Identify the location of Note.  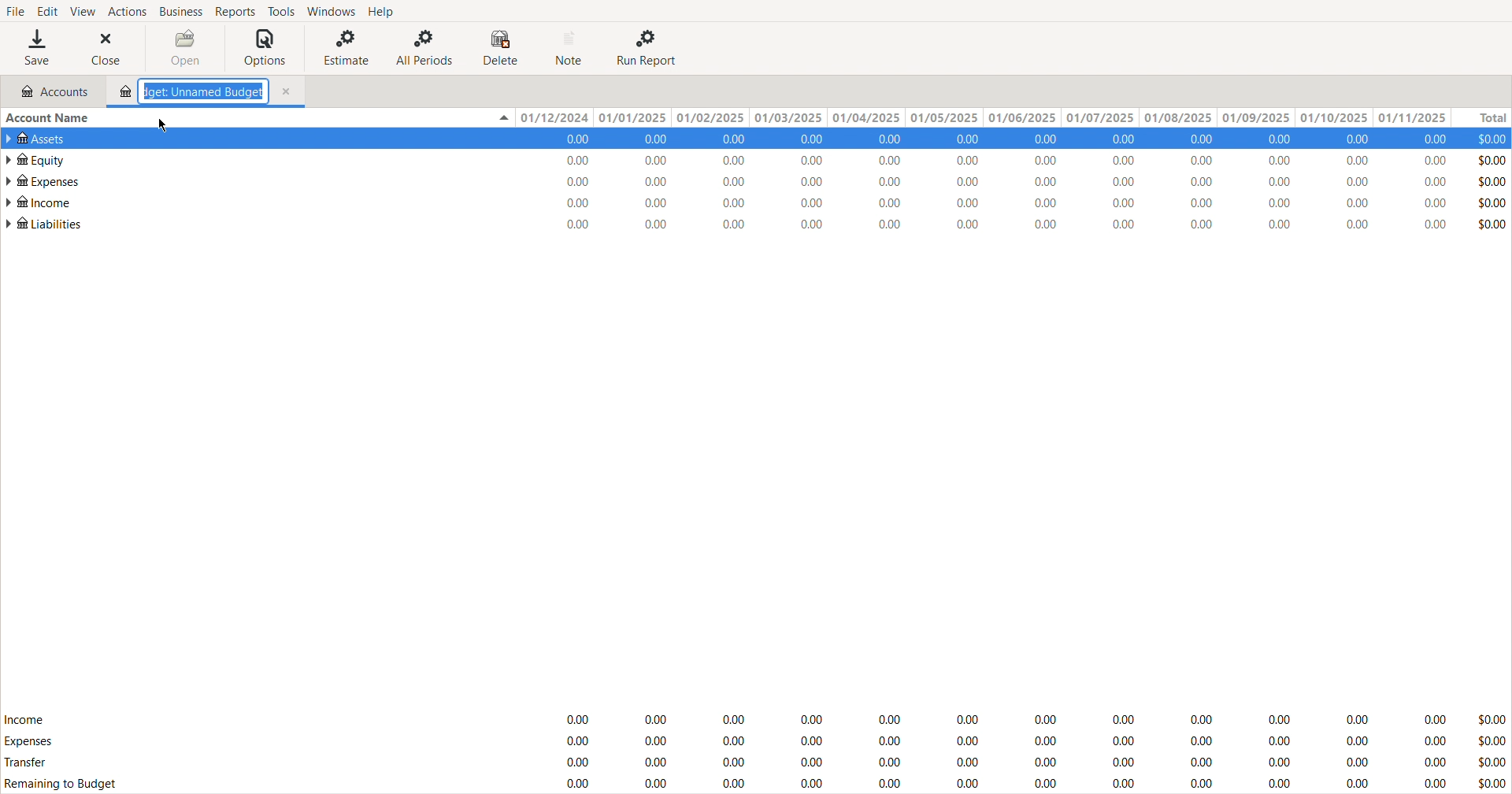
(571, 48).